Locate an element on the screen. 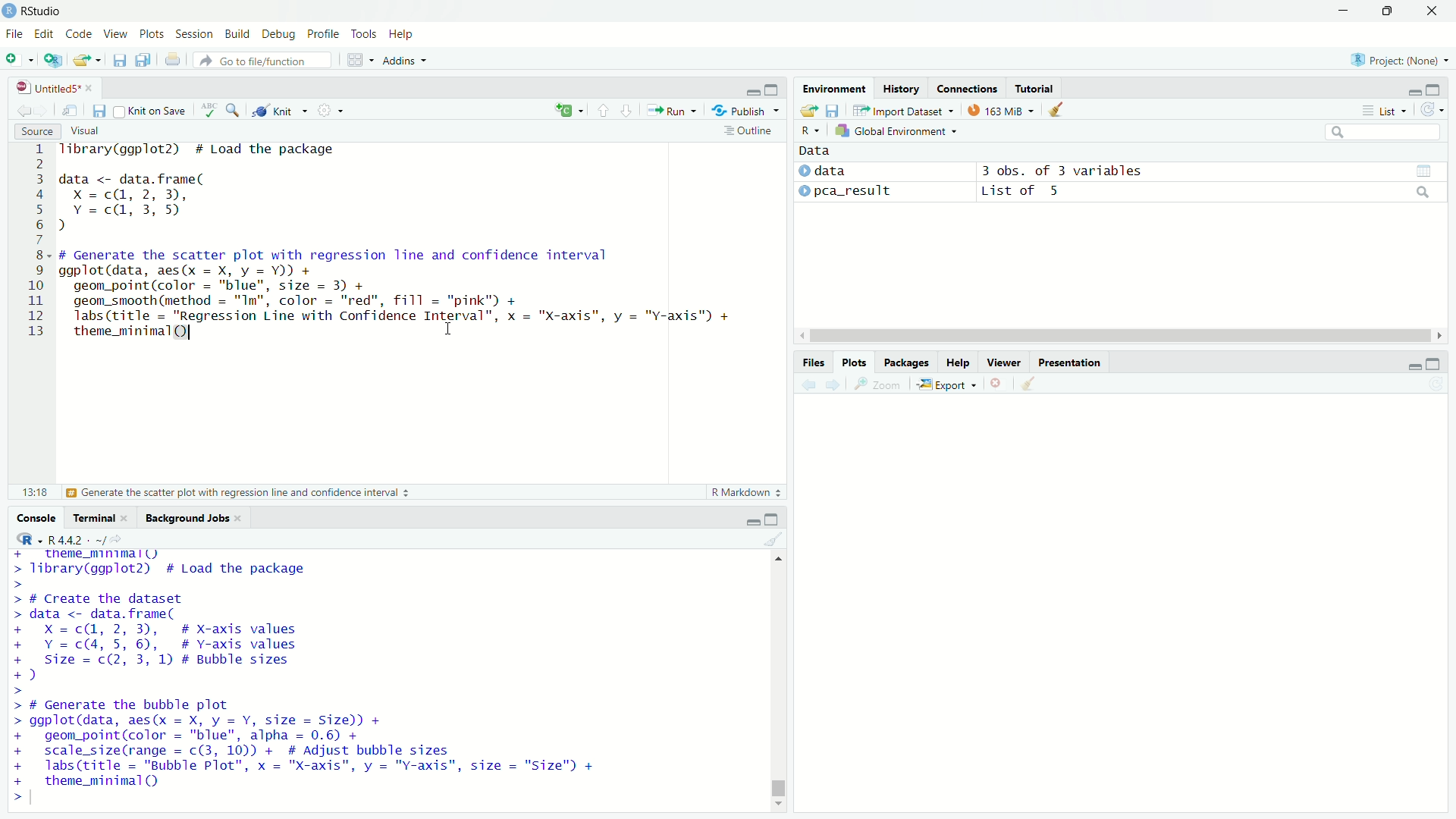  Viewer is located at coordinates (1004, 362).